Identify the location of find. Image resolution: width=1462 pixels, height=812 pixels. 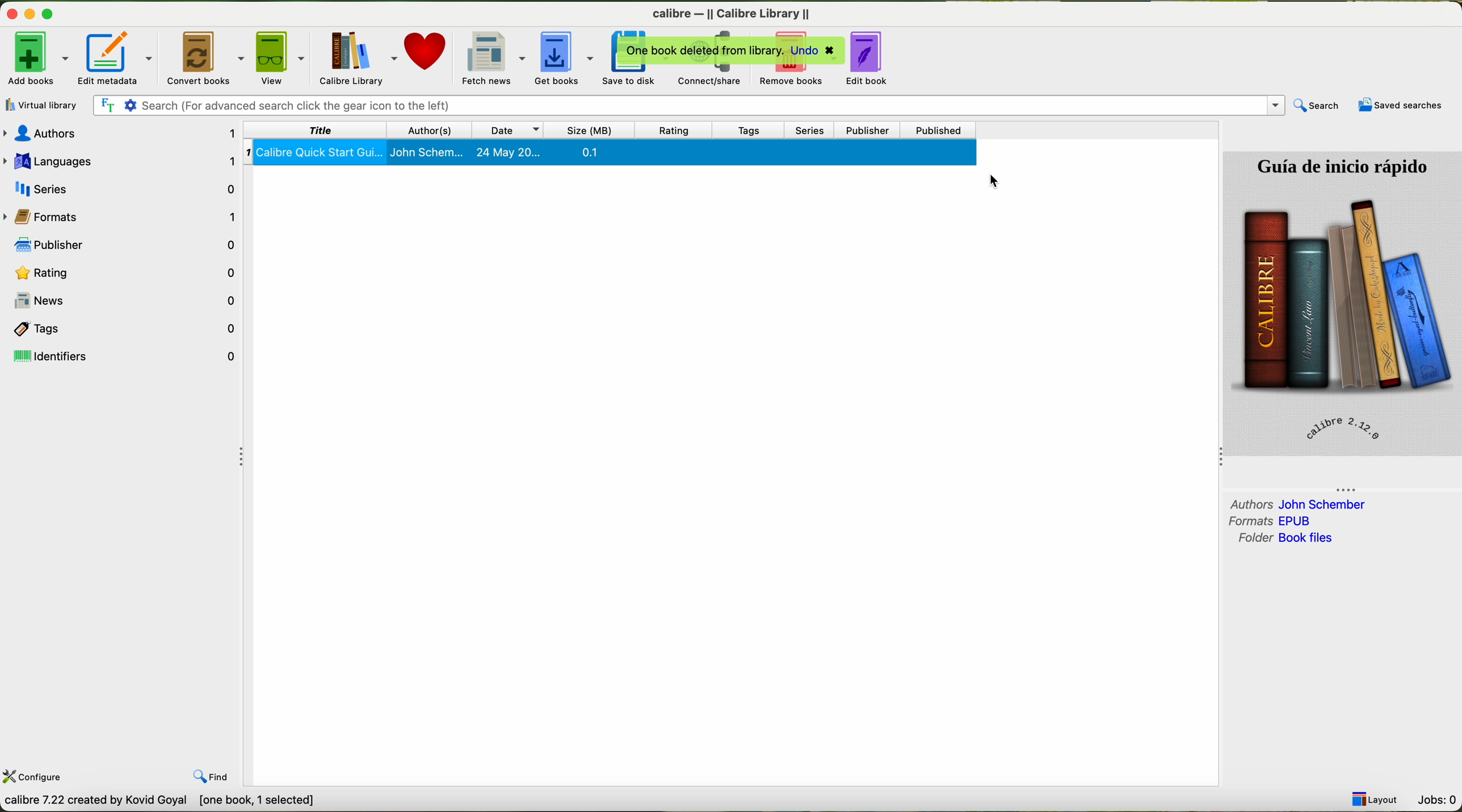
(214, 778).